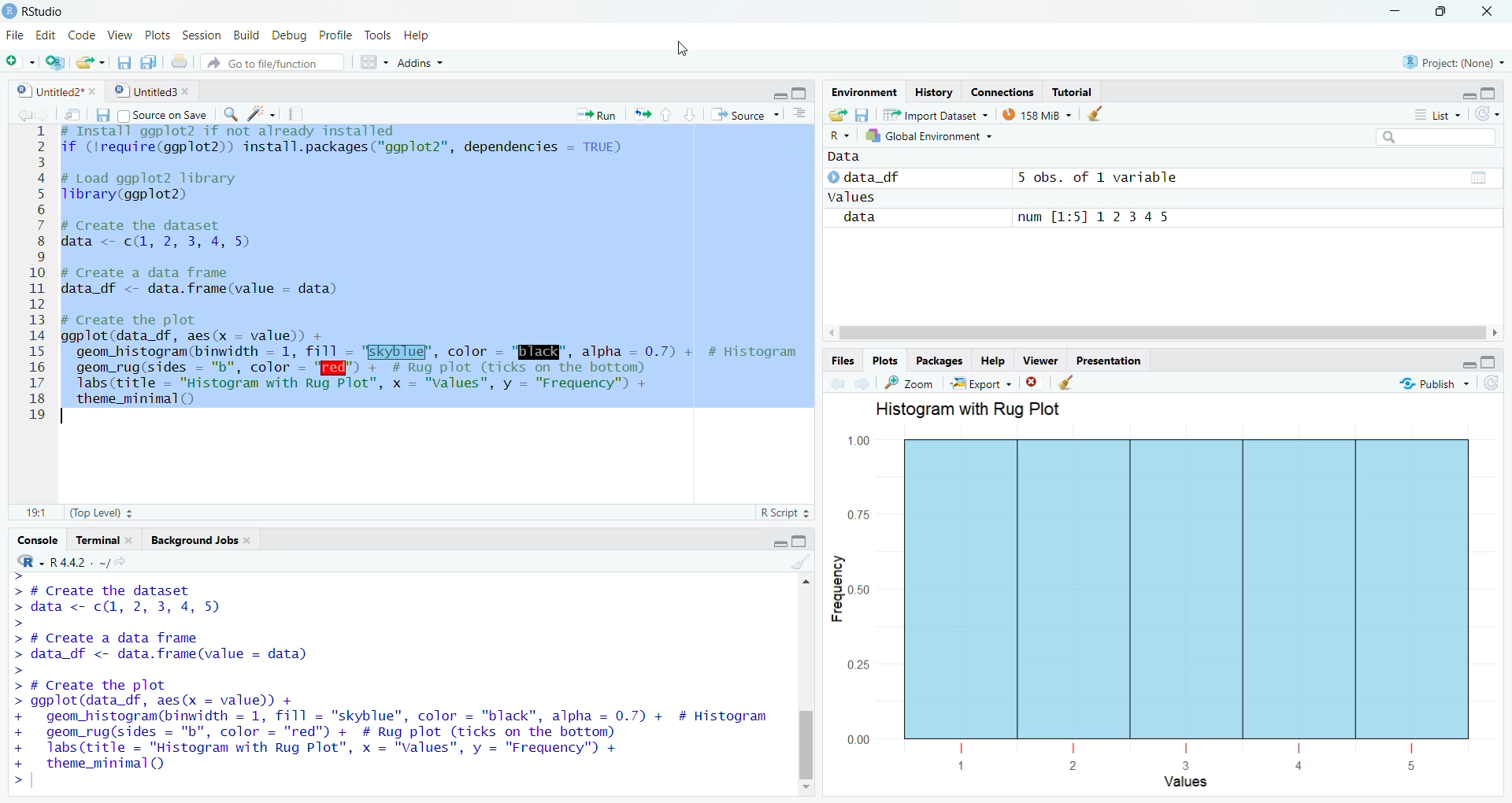 The height and width of the screenshot is (803, 1512). Describe the element at coordinates (1004, 220) in the screenshot. I see `data num [1:5] 12345` at that location.